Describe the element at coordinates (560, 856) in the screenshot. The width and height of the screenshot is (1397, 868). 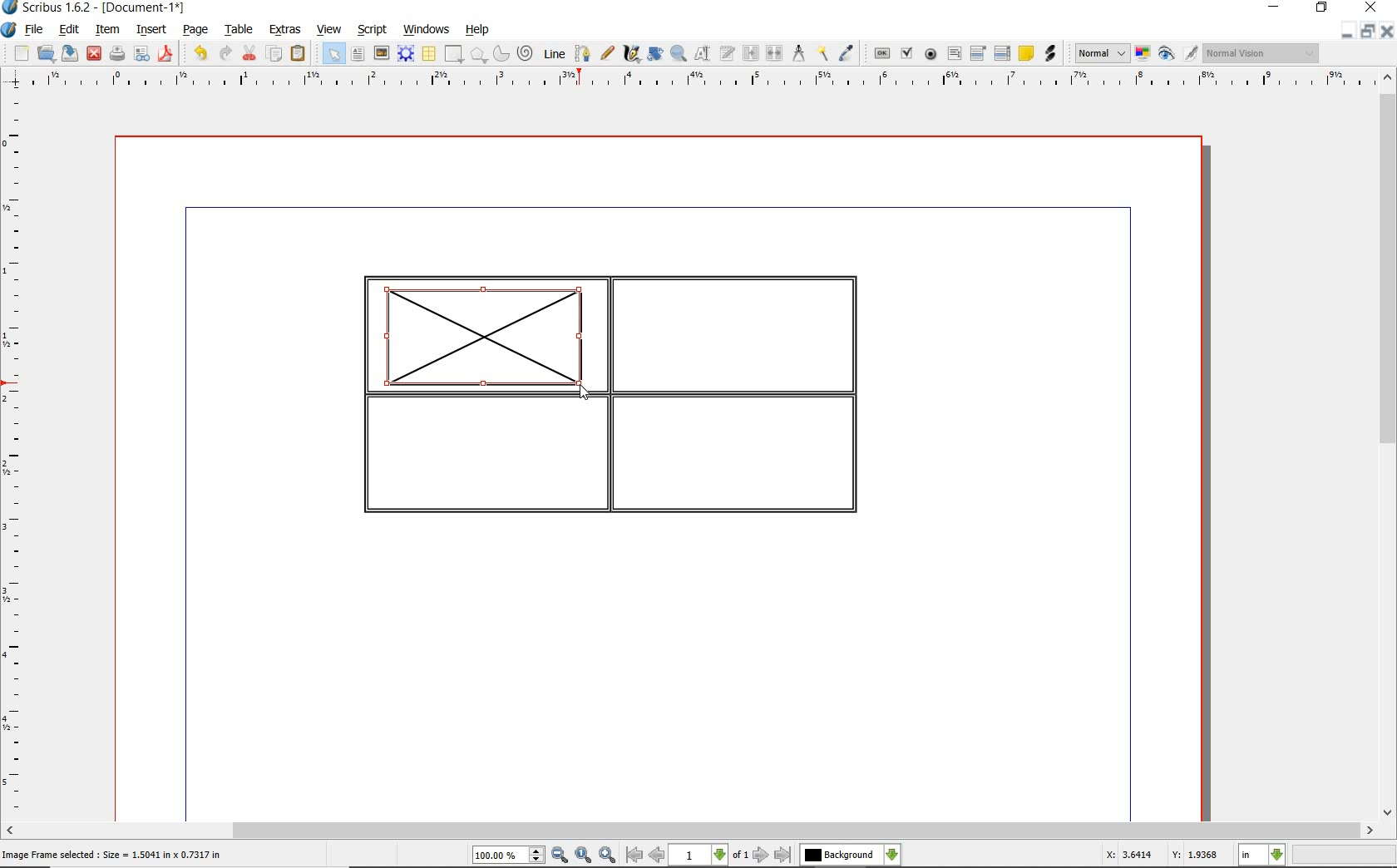
I see `zoom out` at that location.